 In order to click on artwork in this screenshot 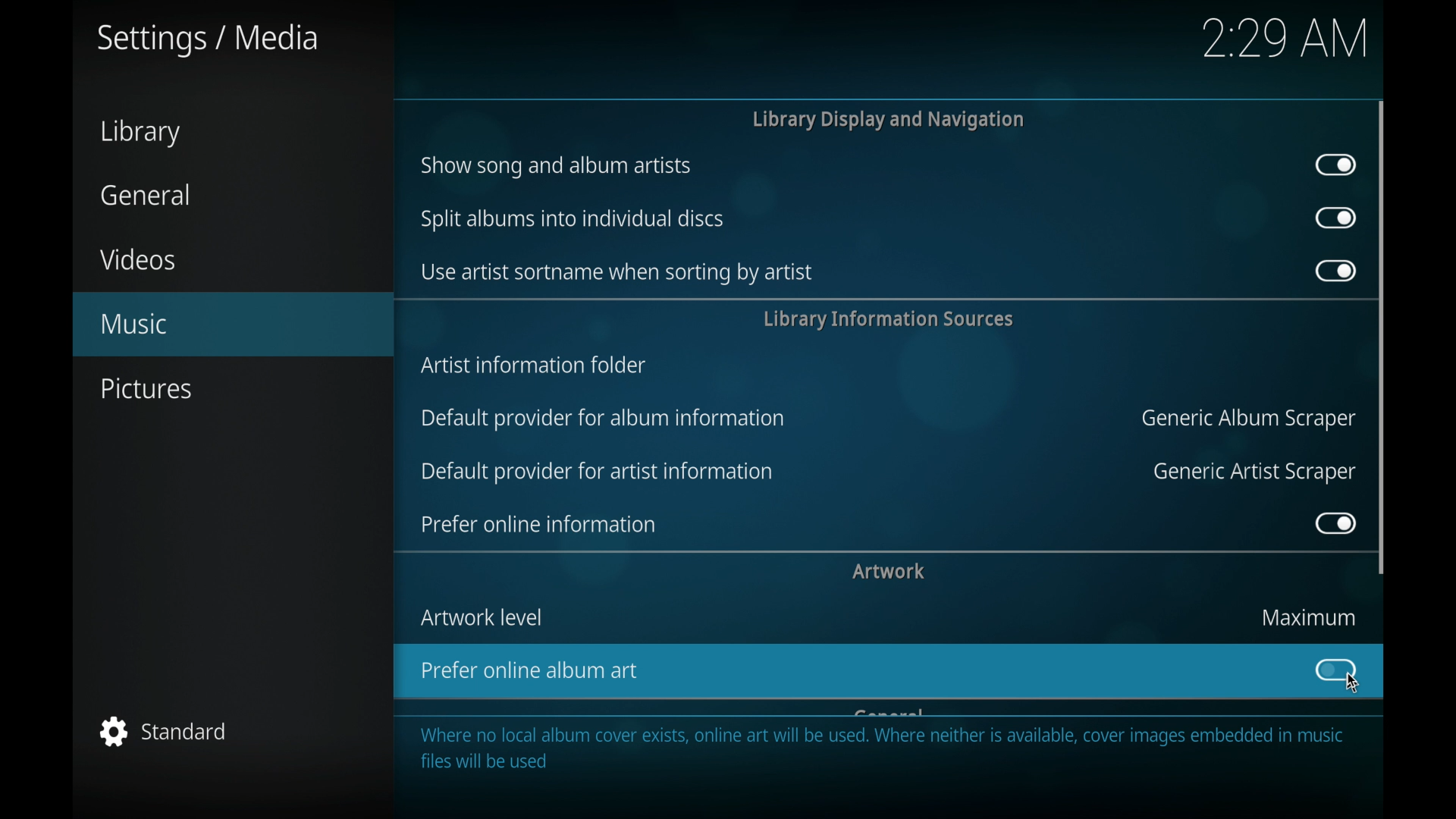, I will do `click(889, 571)`.